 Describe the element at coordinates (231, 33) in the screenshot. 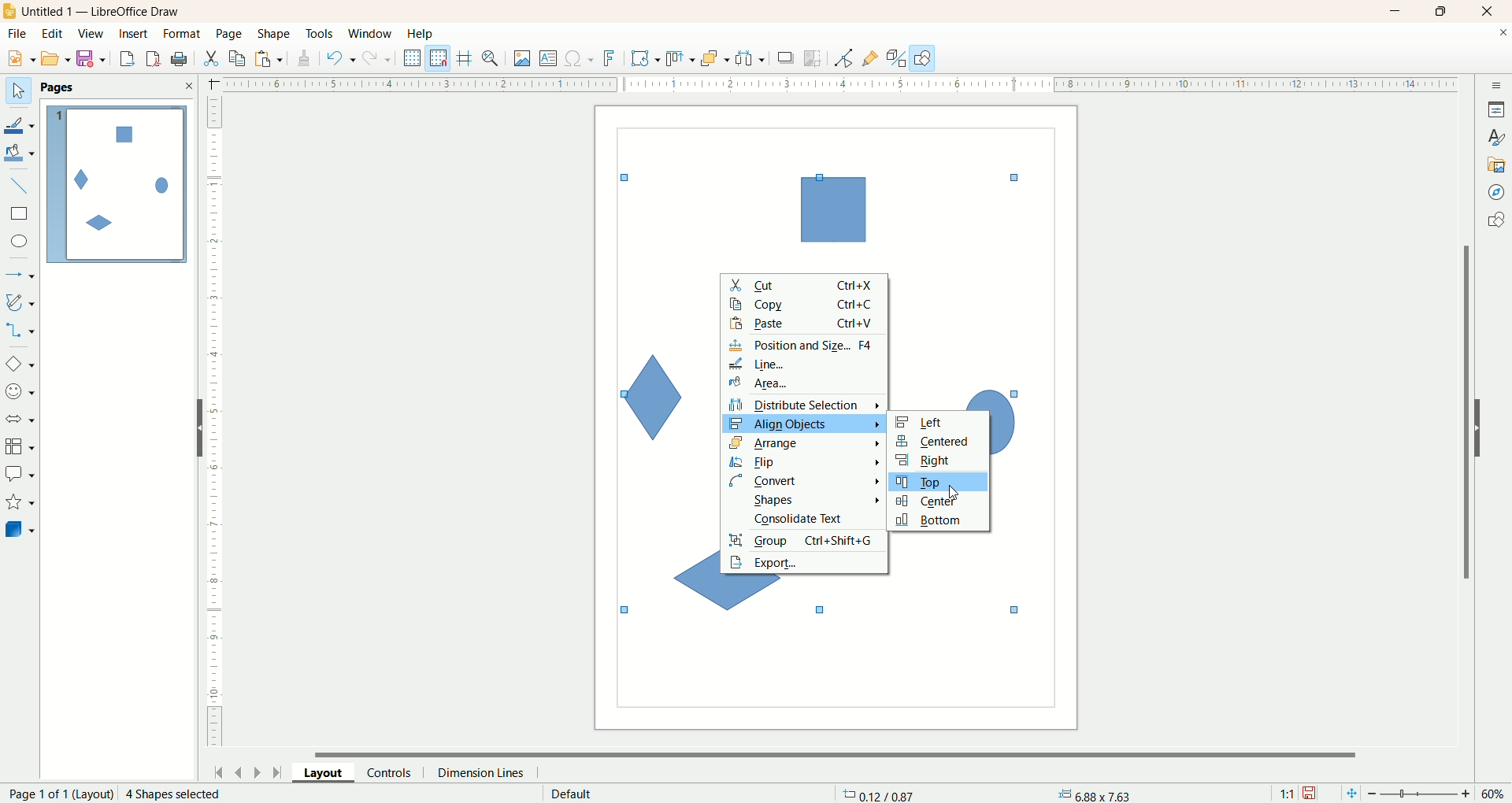

I see `page` at that location.